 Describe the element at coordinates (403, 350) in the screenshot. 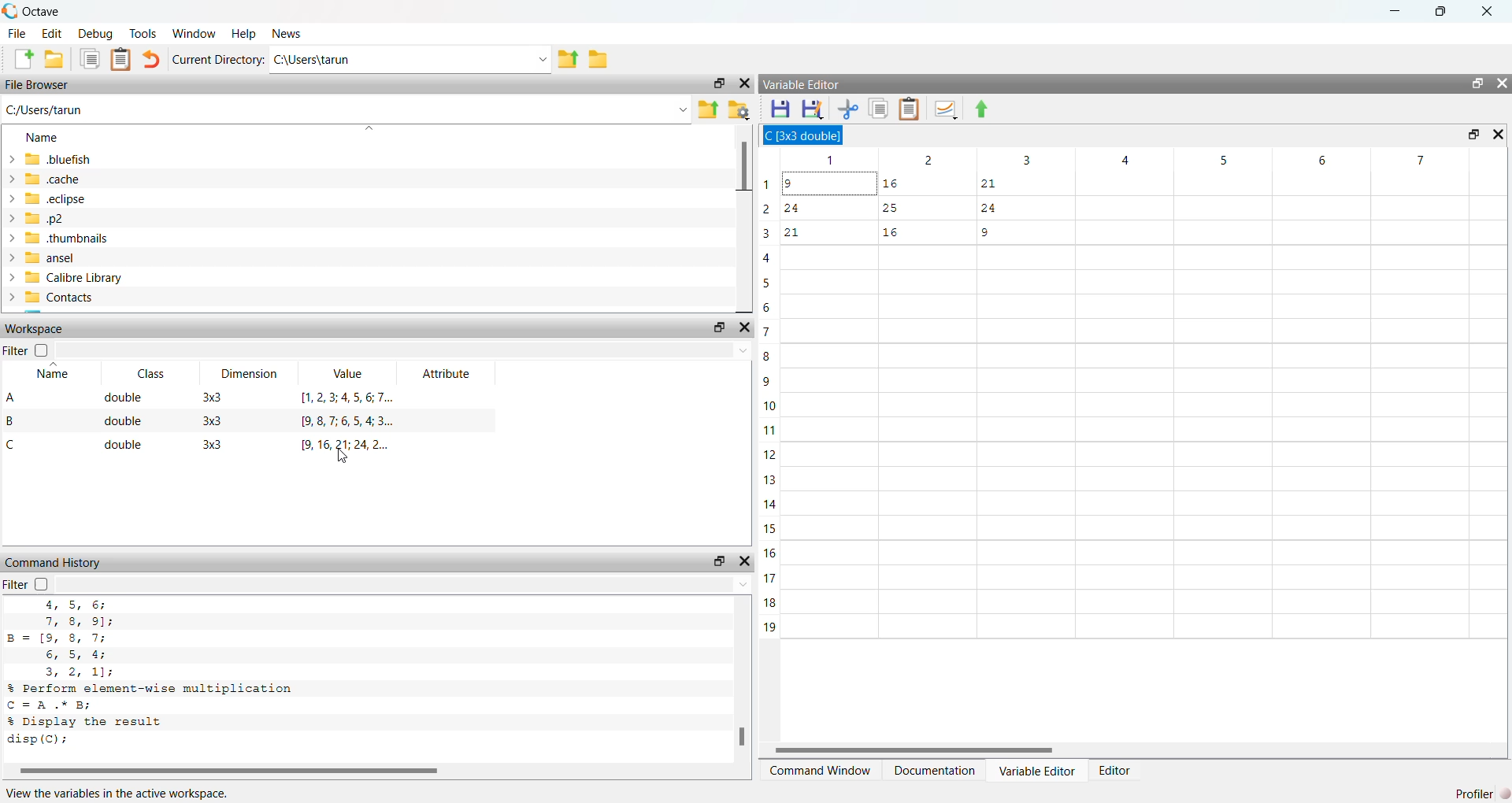

I see `Dropdown` at that location.